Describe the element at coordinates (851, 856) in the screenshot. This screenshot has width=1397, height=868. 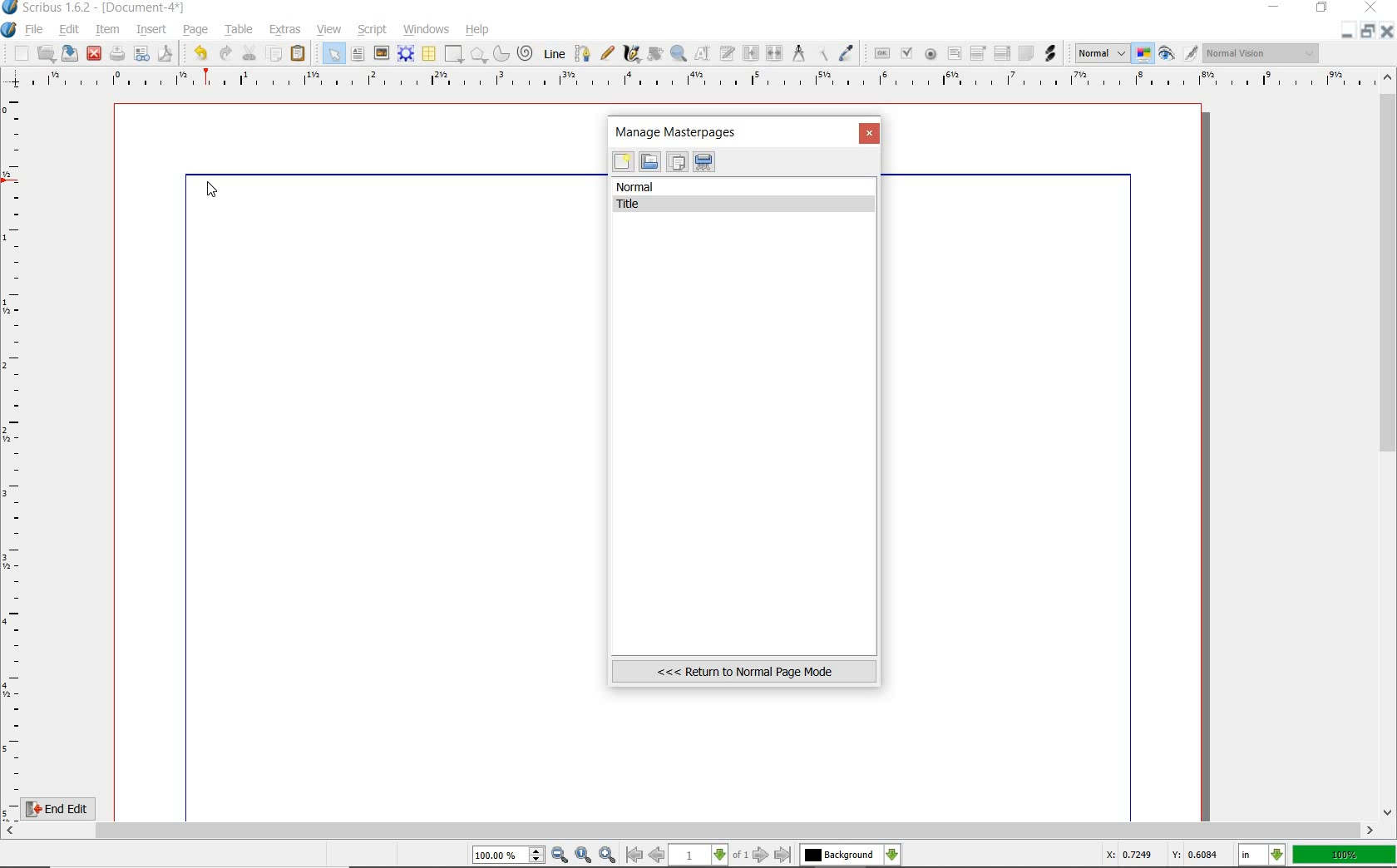
I see `Background` at that location.